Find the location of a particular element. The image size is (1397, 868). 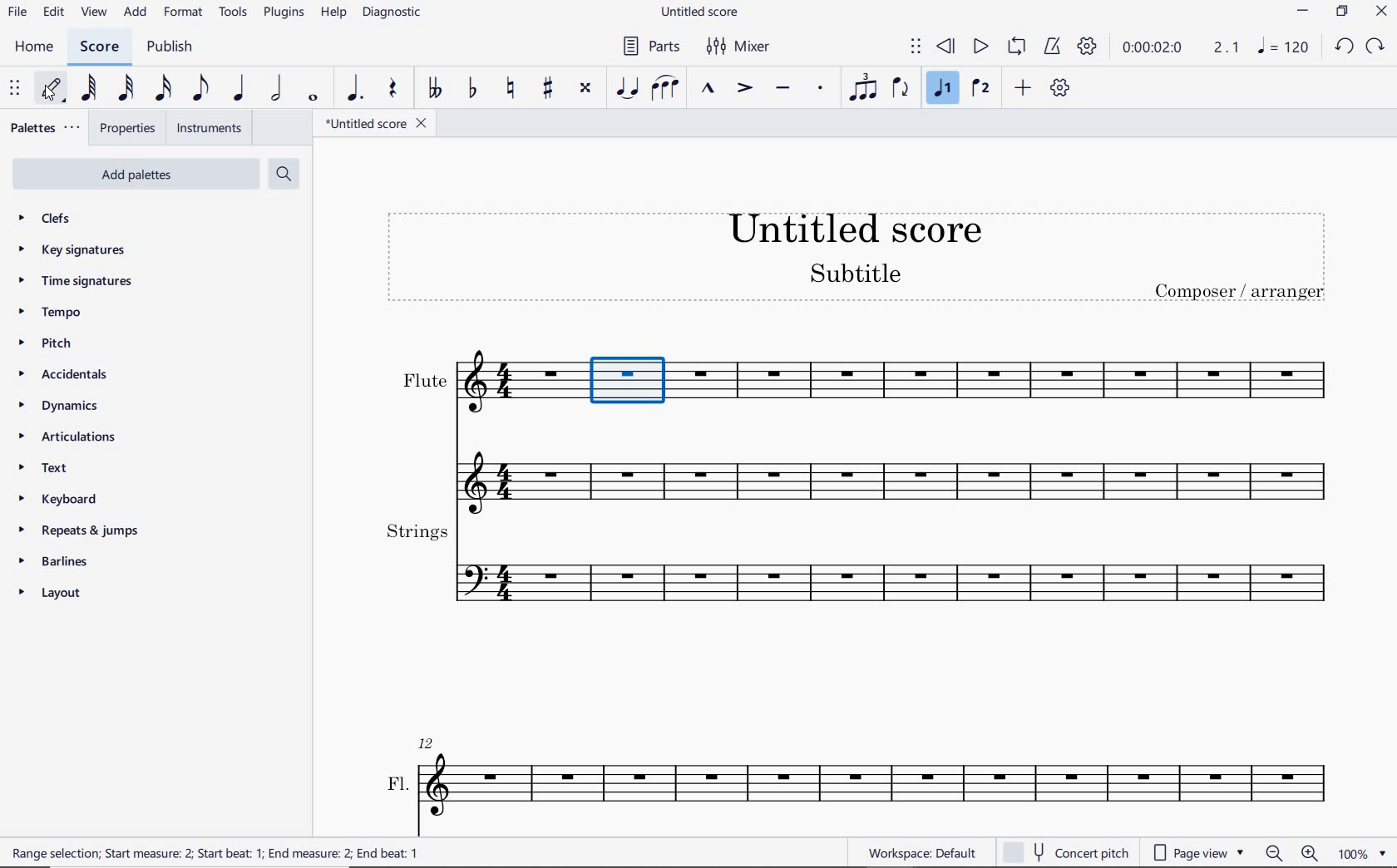

ACCENT is located at coordinates (745, 89).